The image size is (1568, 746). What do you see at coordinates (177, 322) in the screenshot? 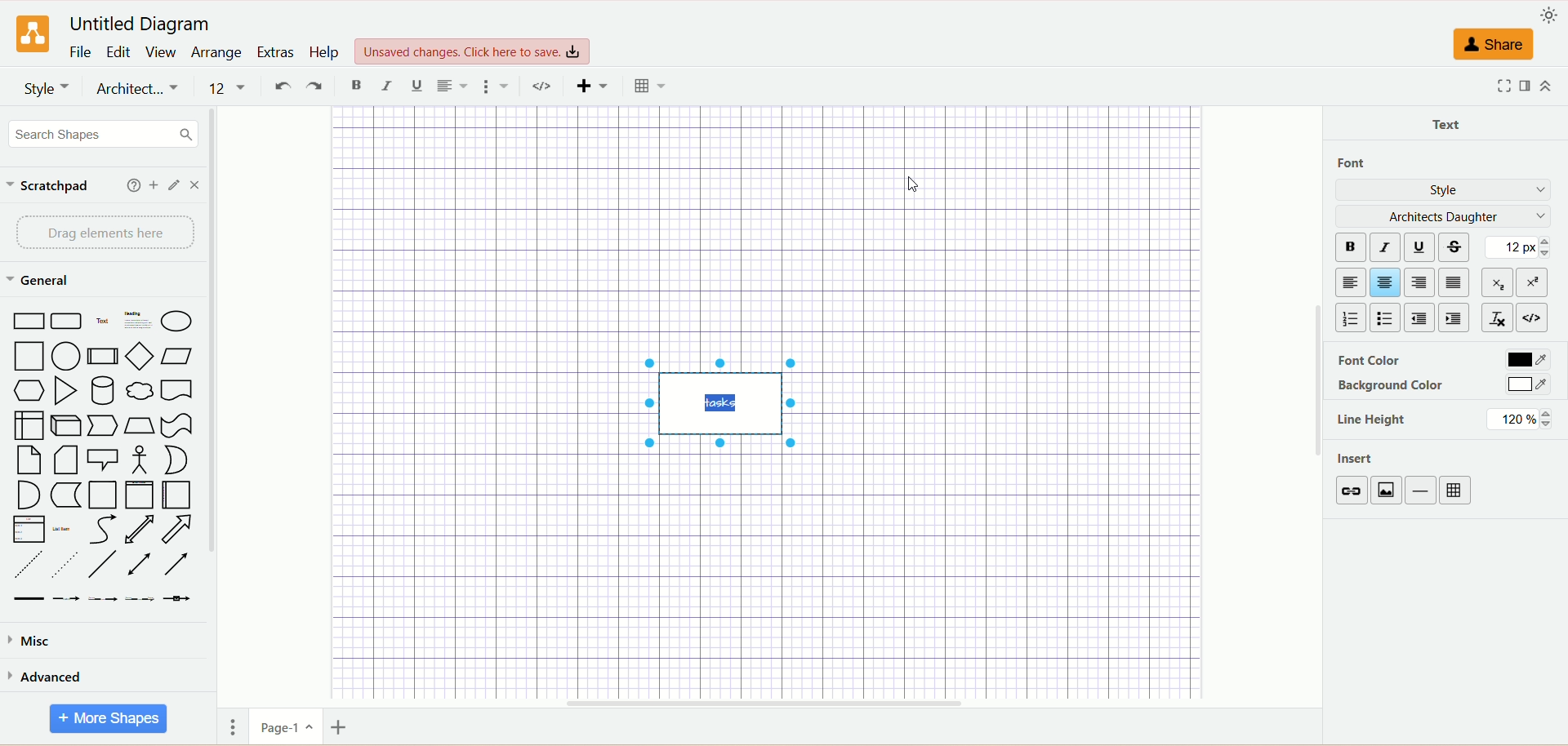
I see `Ellipse` at bounding box center [177, 322].